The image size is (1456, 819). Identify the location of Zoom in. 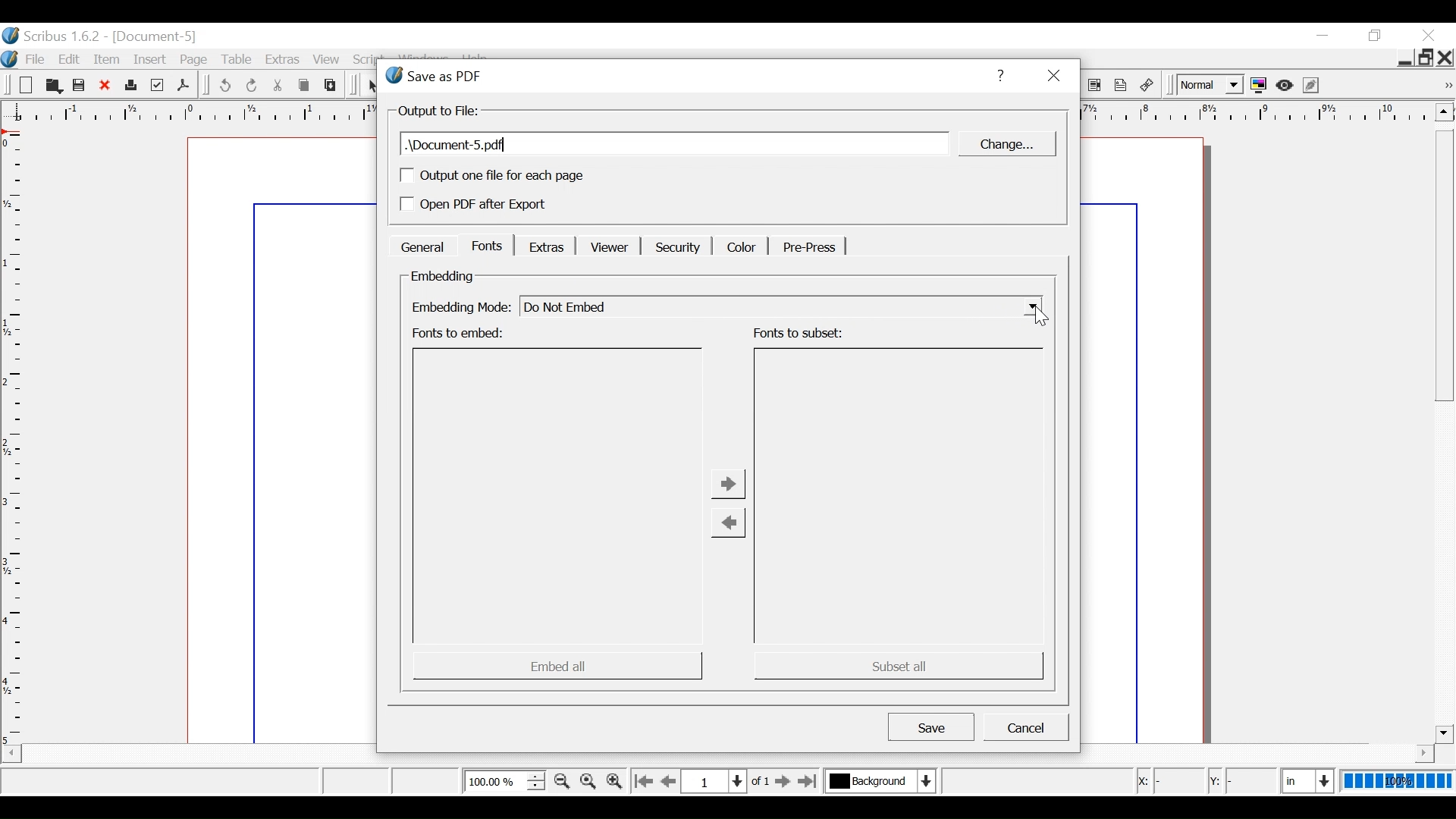
(613, 780).